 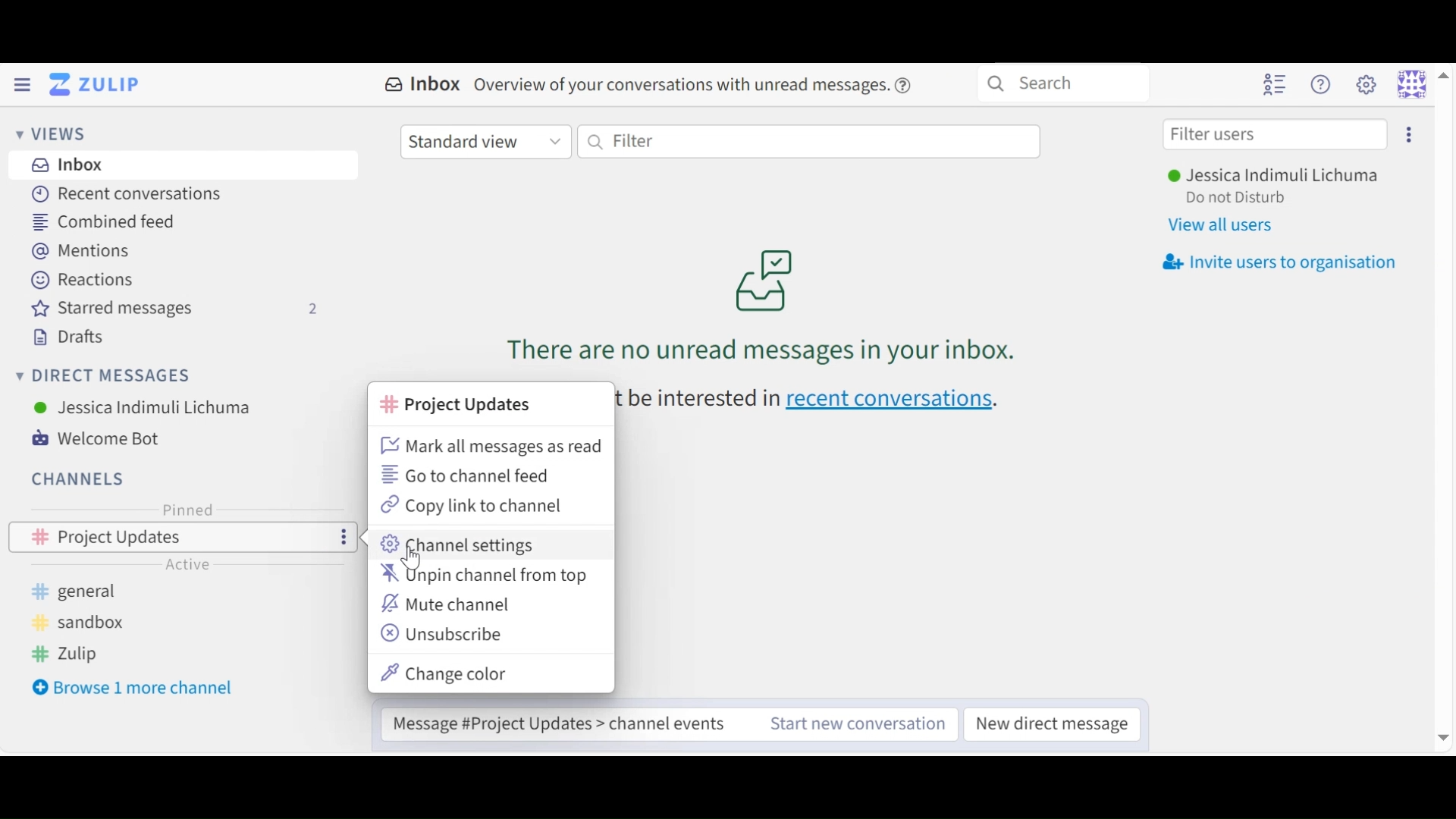 I want to click on Cursor, so click(x=413, y=560).